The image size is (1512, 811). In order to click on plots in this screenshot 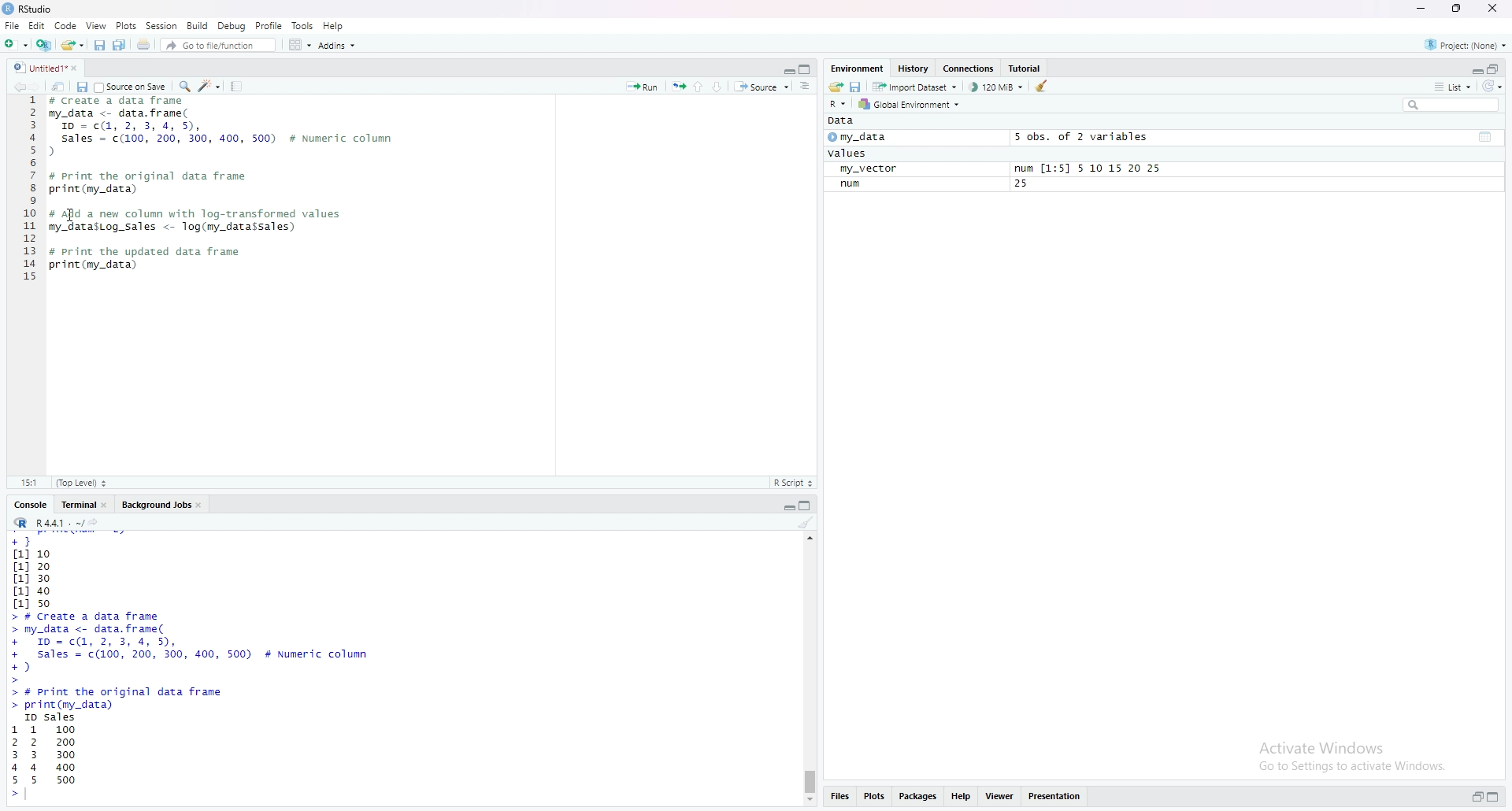, I will do `click(876, 799)`.